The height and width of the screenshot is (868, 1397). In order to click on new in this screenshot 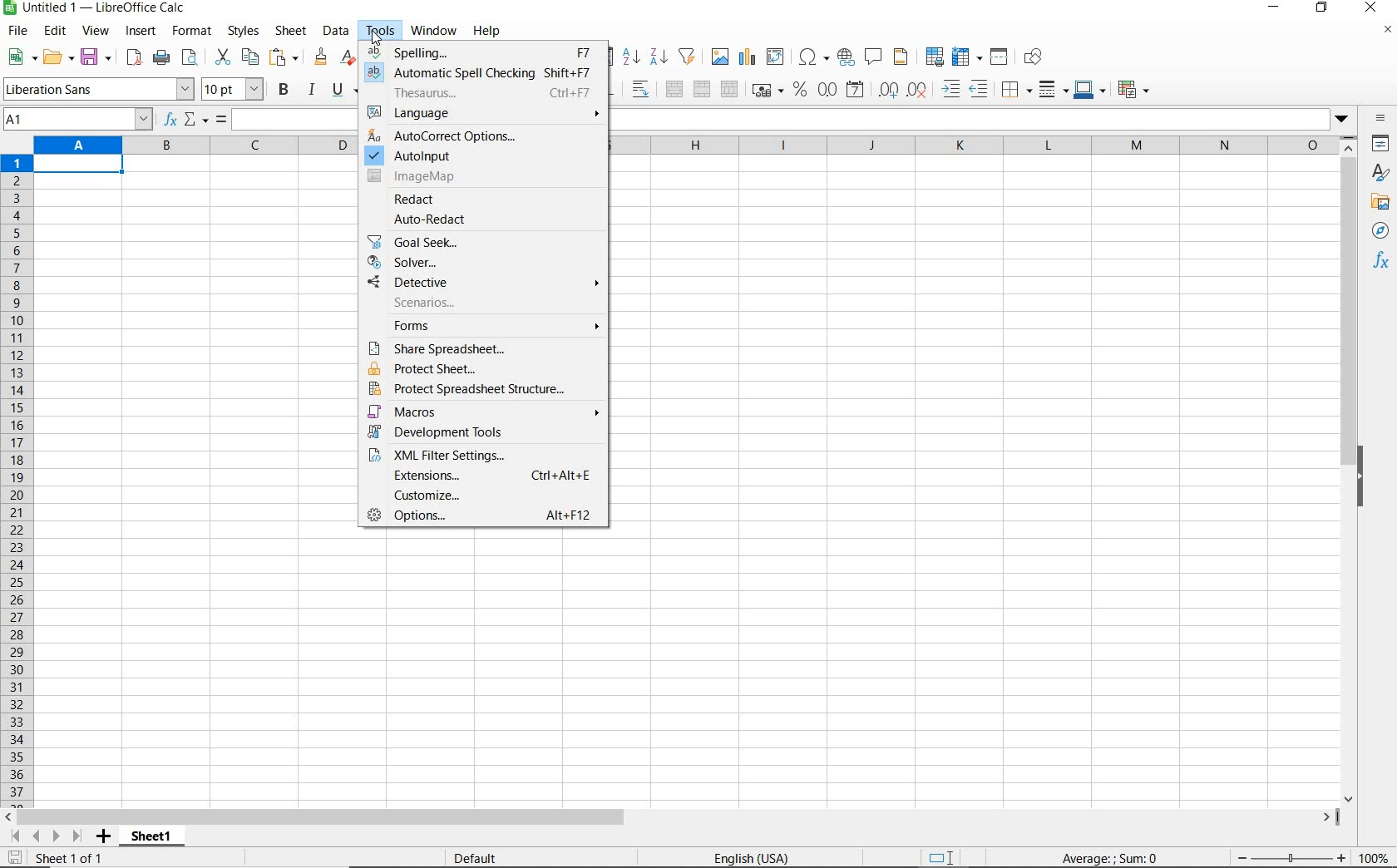, I will do `click(18, 57)`.